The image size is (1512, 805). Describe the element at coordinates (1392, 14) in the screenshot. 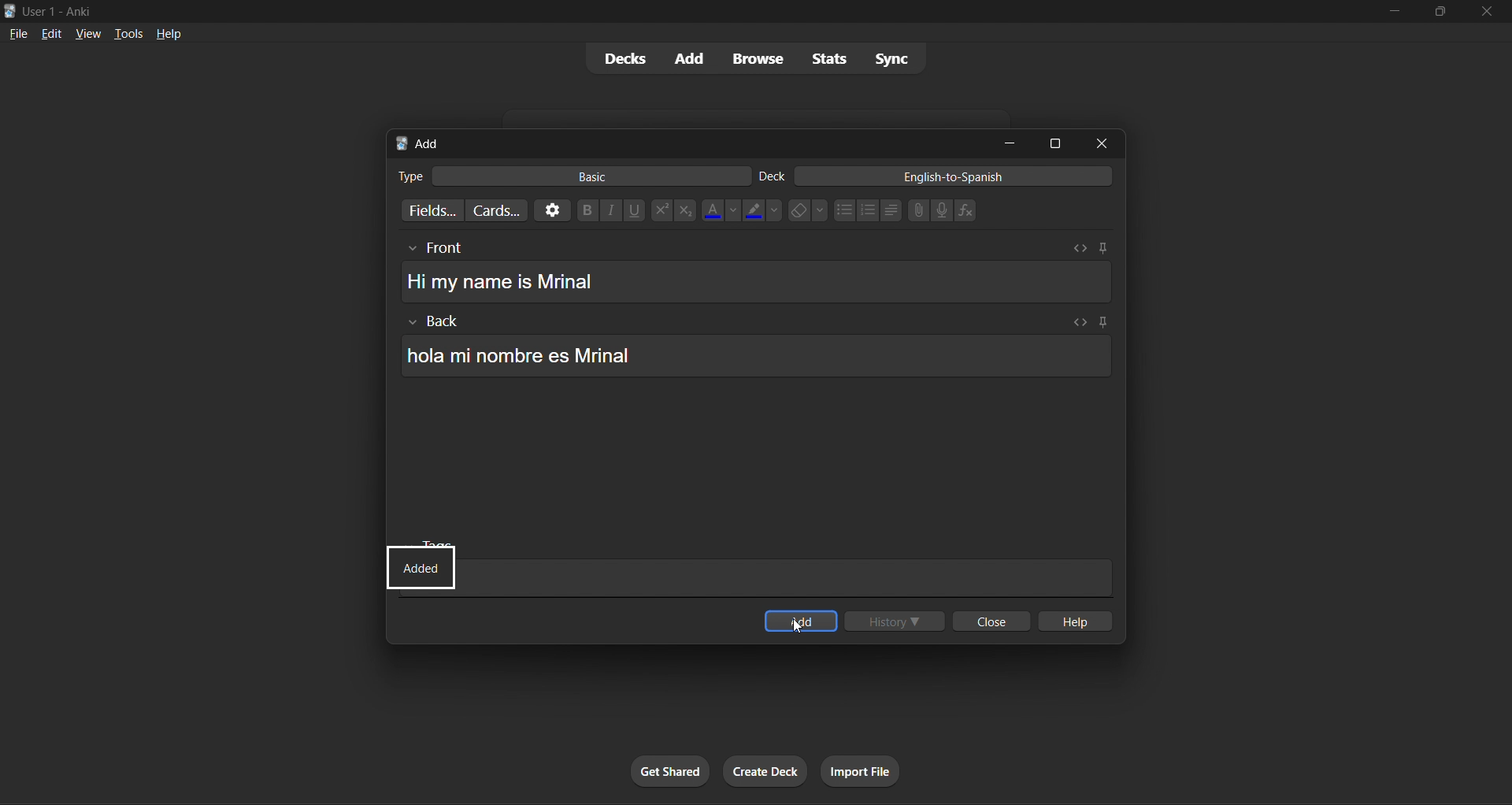

I see `minimize` at that location.